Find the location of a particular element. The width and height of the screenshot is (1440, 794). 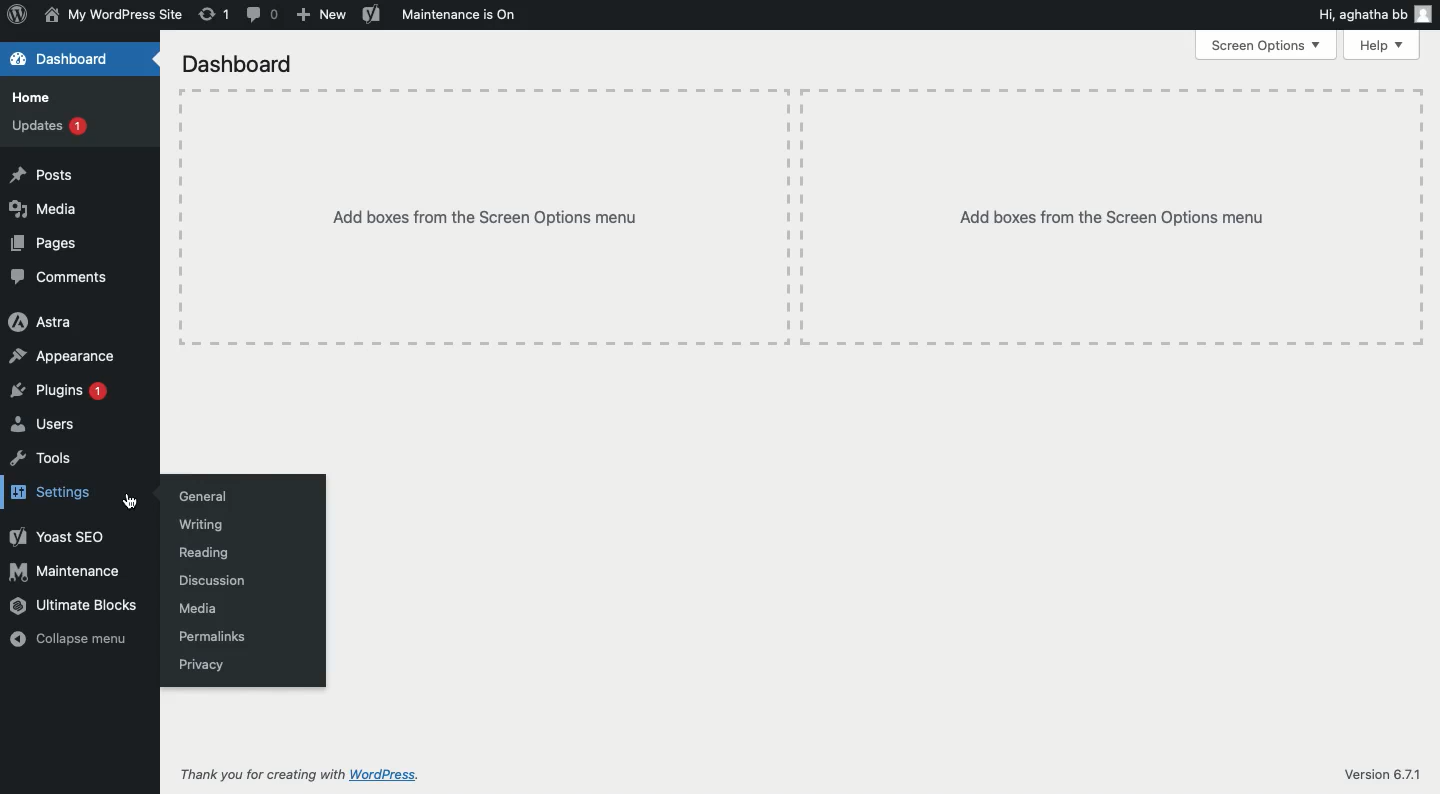

Dashboard is located at coordinates (67, 61).